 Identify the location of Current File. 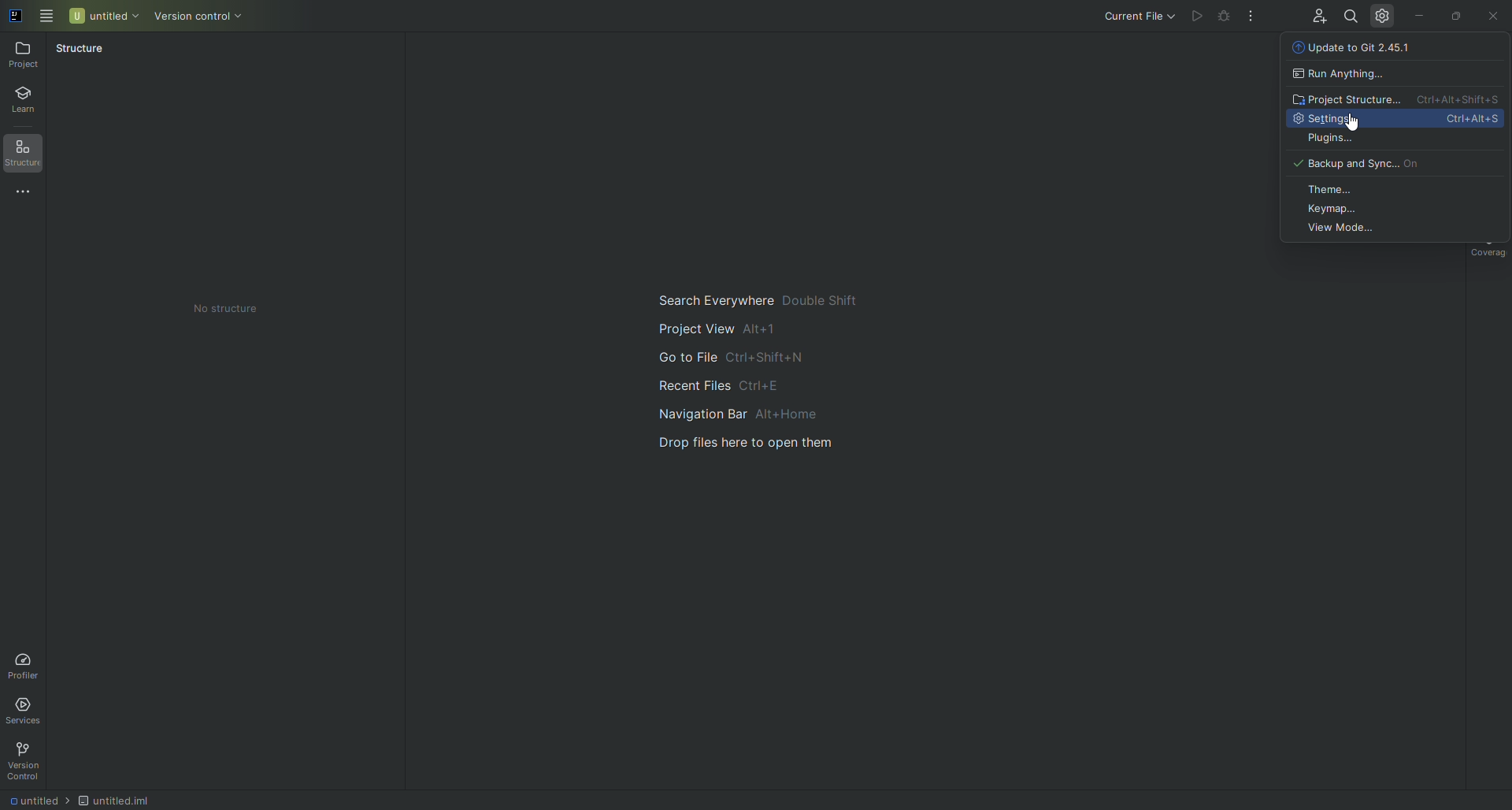
(1142, 17).